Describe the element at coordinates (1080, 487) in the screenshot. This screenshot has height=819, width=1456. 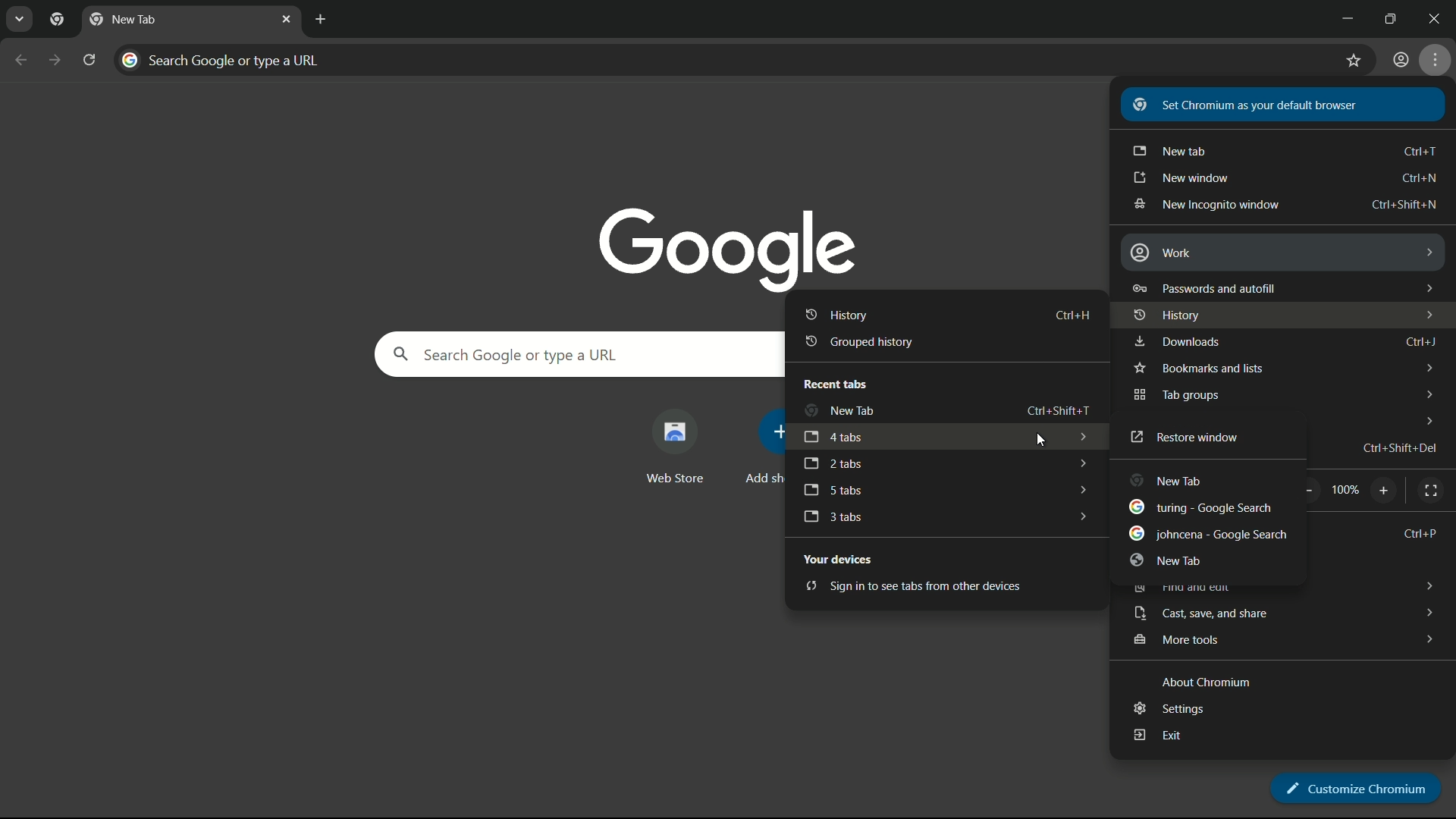
I see `dropdown arrows` at that location.